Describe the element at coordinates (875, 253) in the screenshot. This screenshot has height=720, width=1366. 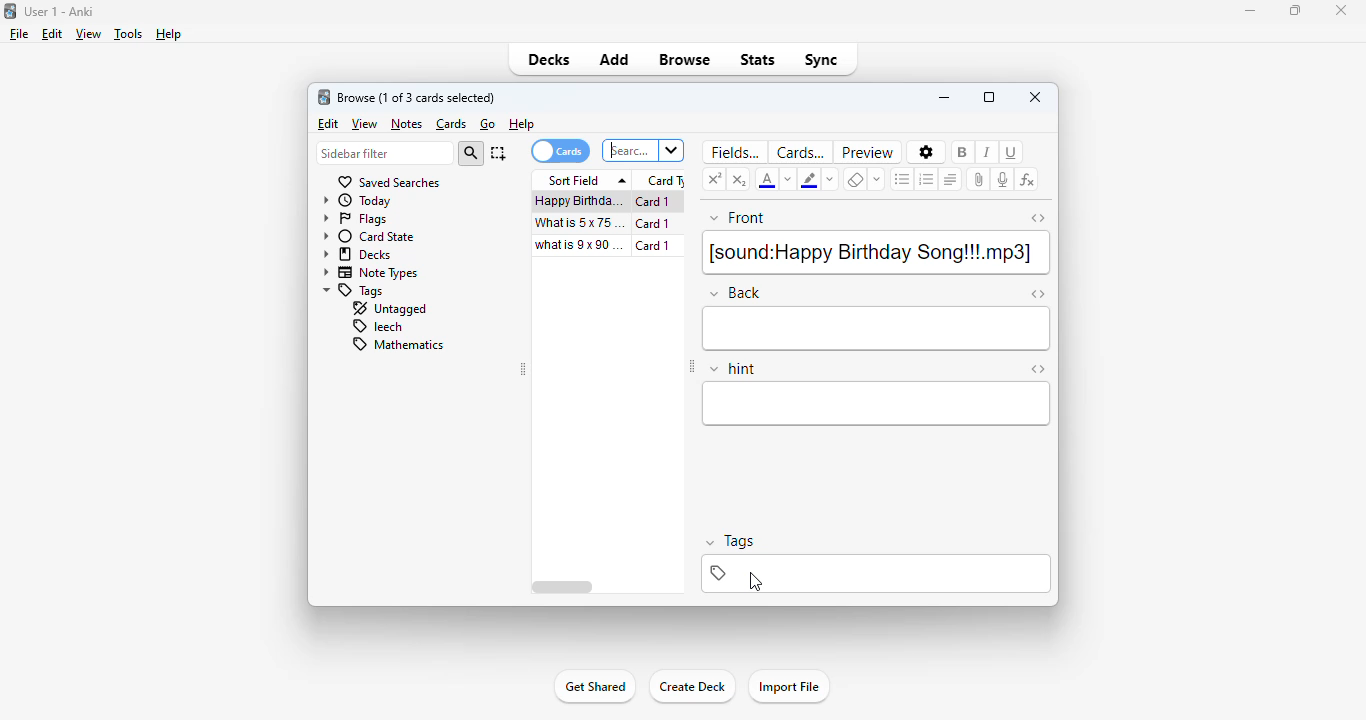
I see `[sound: Happy Birthday Song!!!.mp3}` at that location.